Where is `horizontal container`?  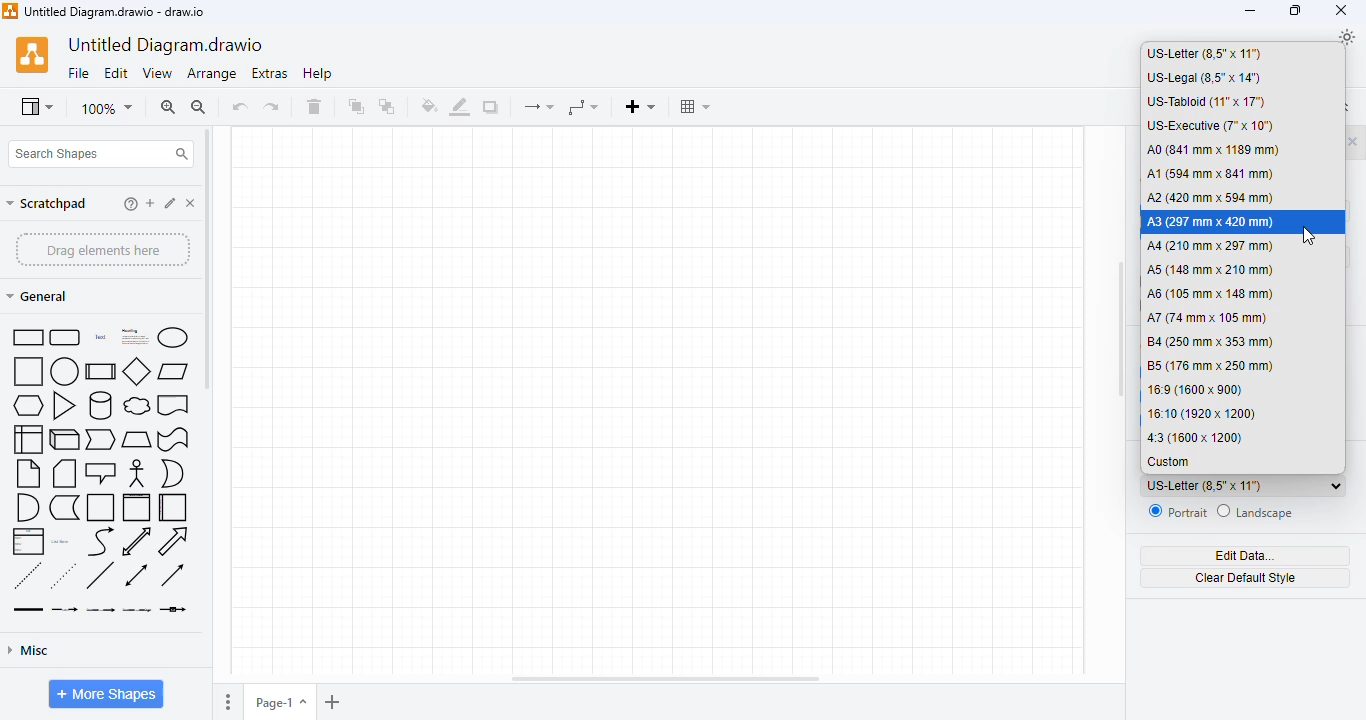
horizontal container is located at coordinates (172, 508).